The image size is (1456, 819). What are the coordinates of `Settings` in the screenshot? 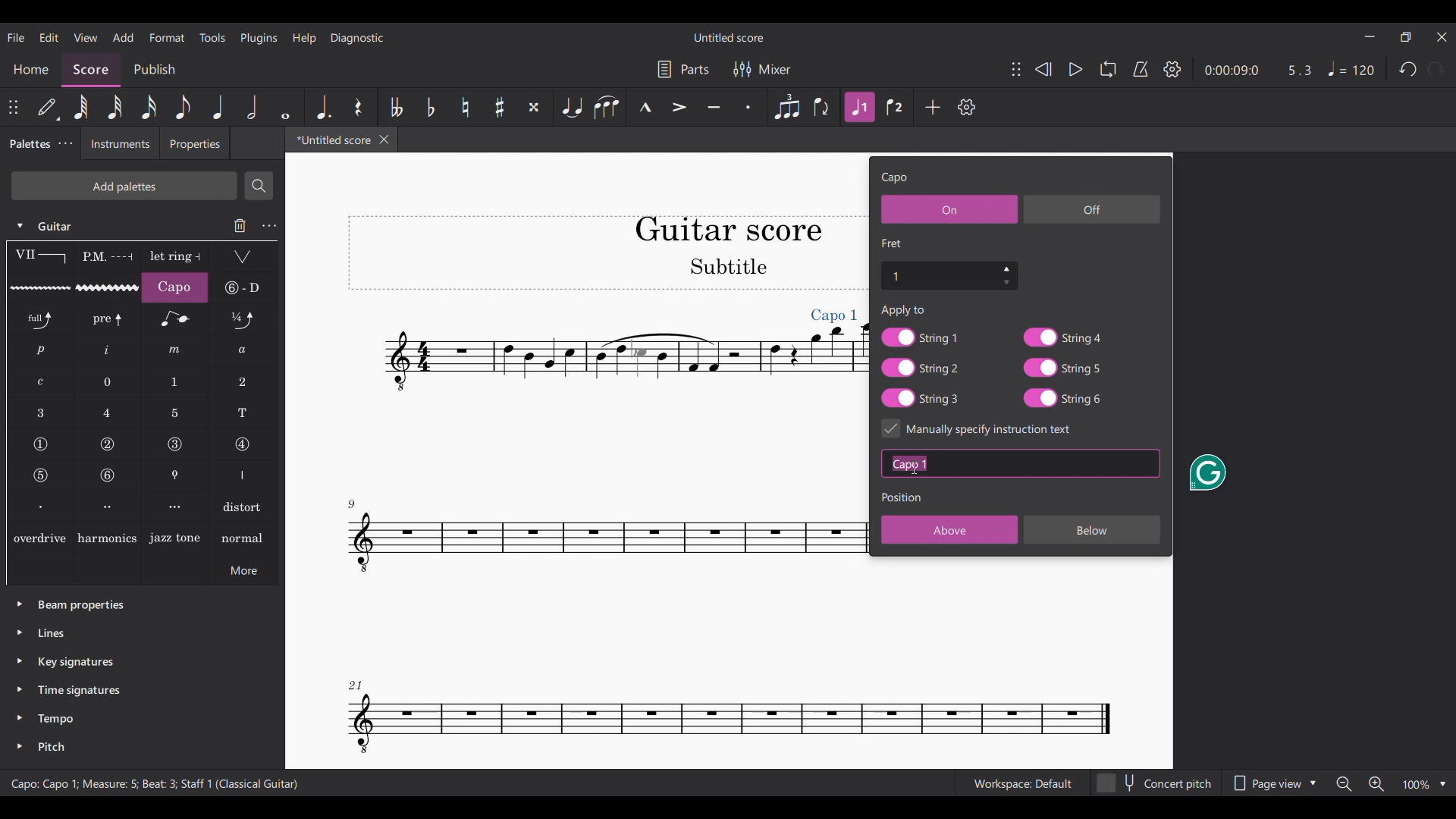 It's located at (1172, 69).